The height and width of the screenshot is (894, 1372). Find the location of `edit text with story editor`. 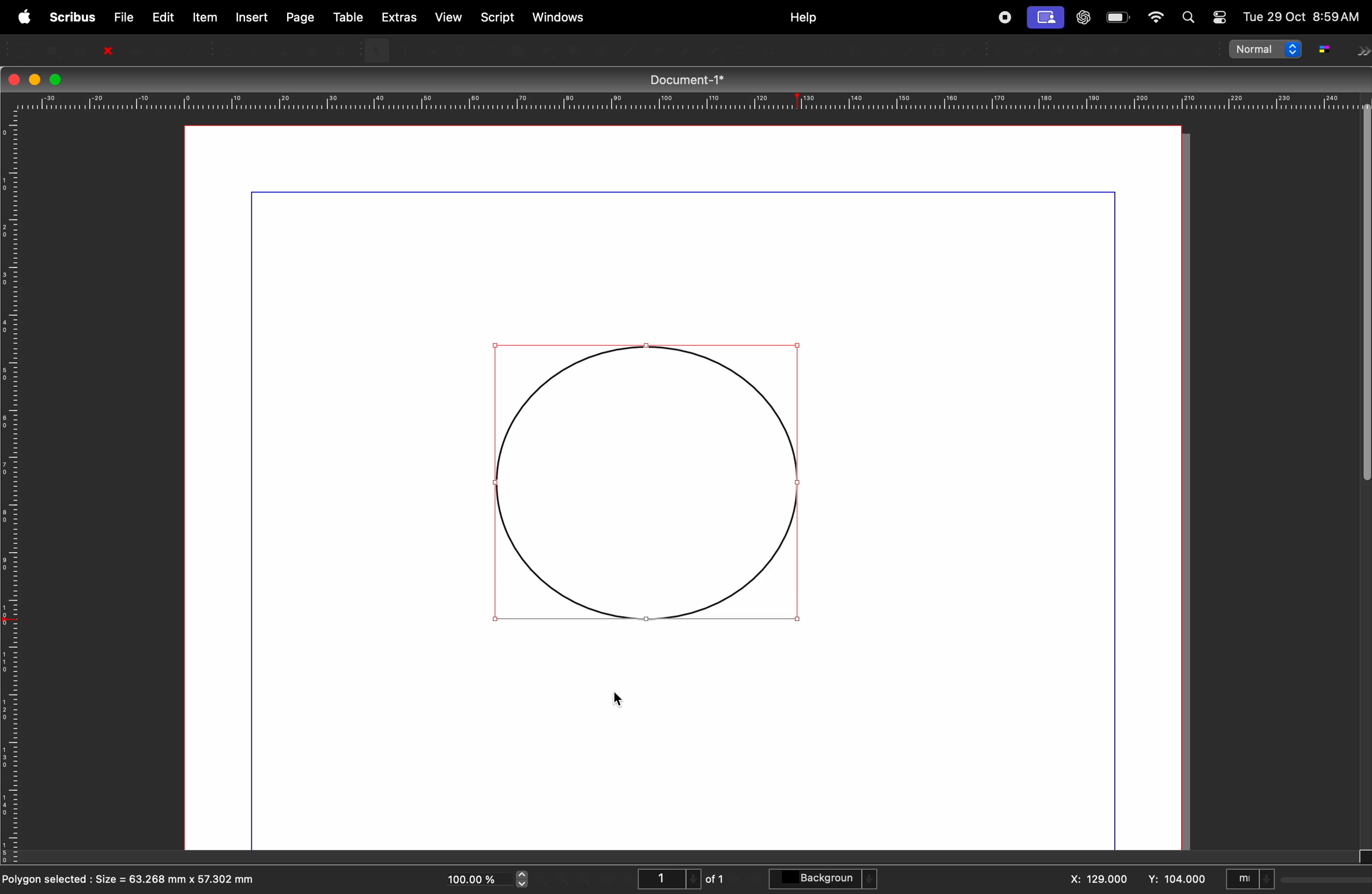

edit text with story editor is located at coordinates (825, 50).